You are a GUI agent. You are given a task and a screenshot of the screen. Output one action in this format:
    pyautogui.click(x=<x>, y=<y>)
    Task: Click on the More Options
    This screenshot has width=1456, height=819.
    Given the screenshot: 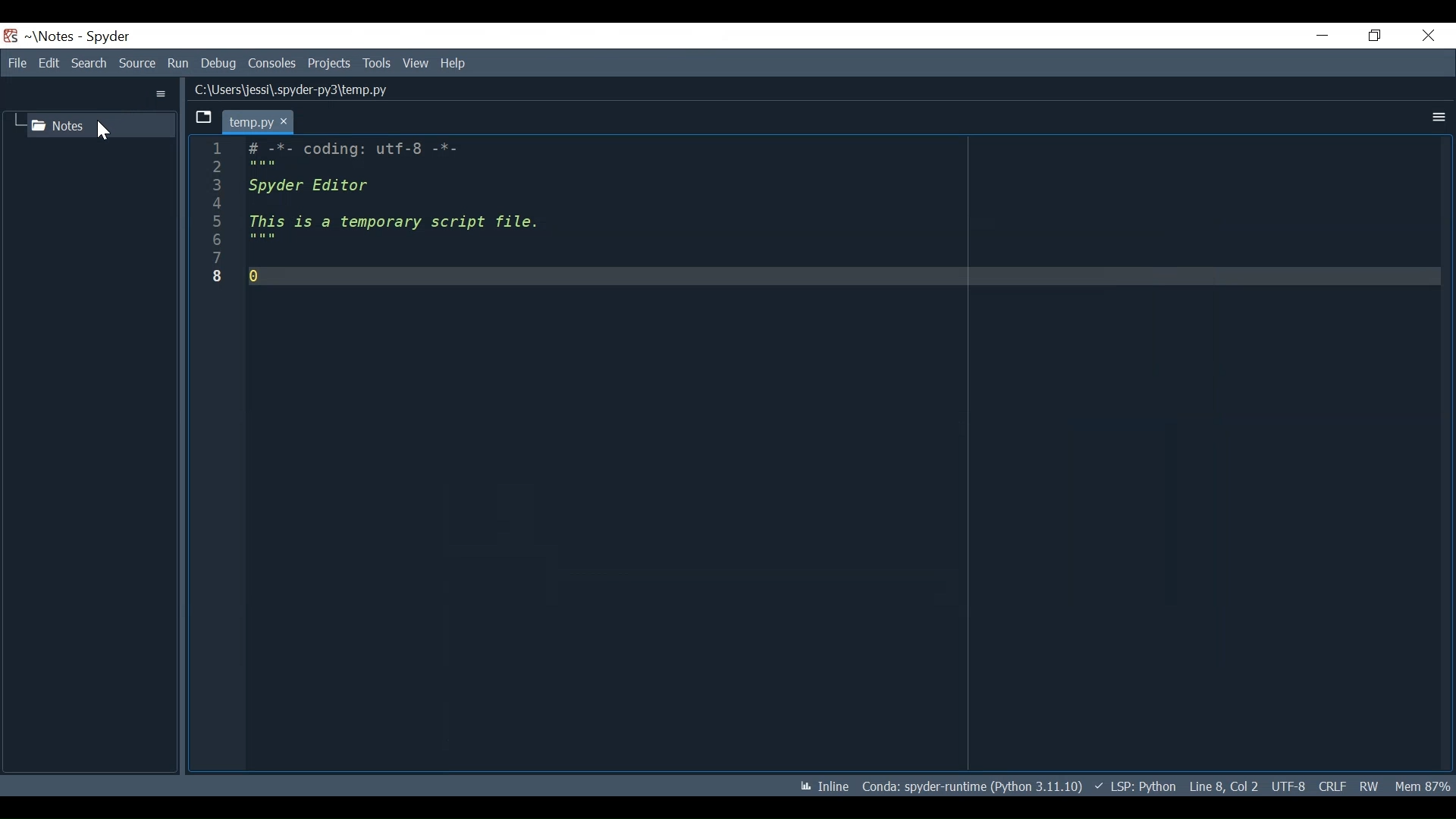 What is the action you would take?
    pyautogui.click(x=1436, y=117)
    